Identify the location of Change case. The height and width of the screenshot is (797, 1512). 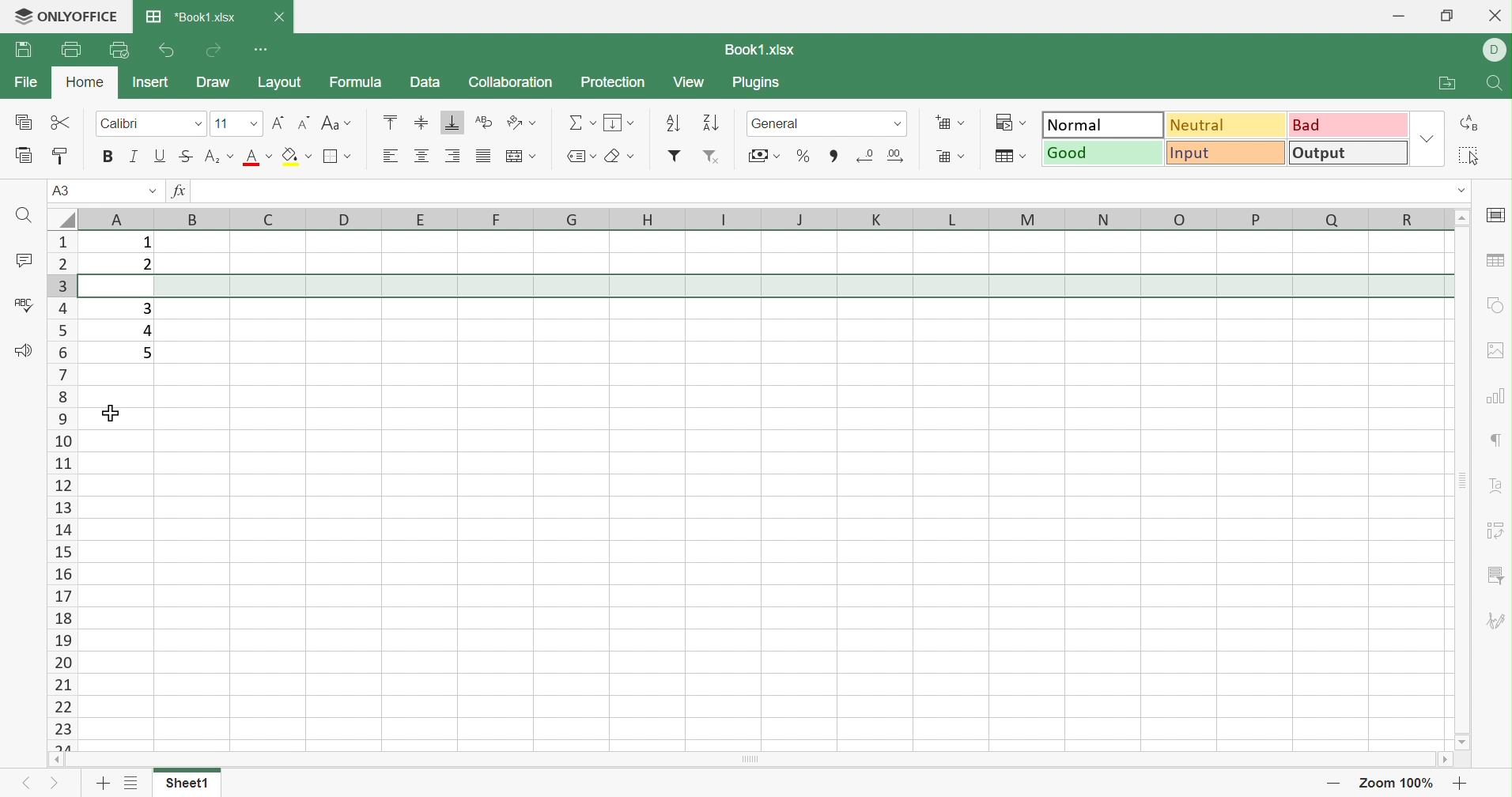
(328, 120).